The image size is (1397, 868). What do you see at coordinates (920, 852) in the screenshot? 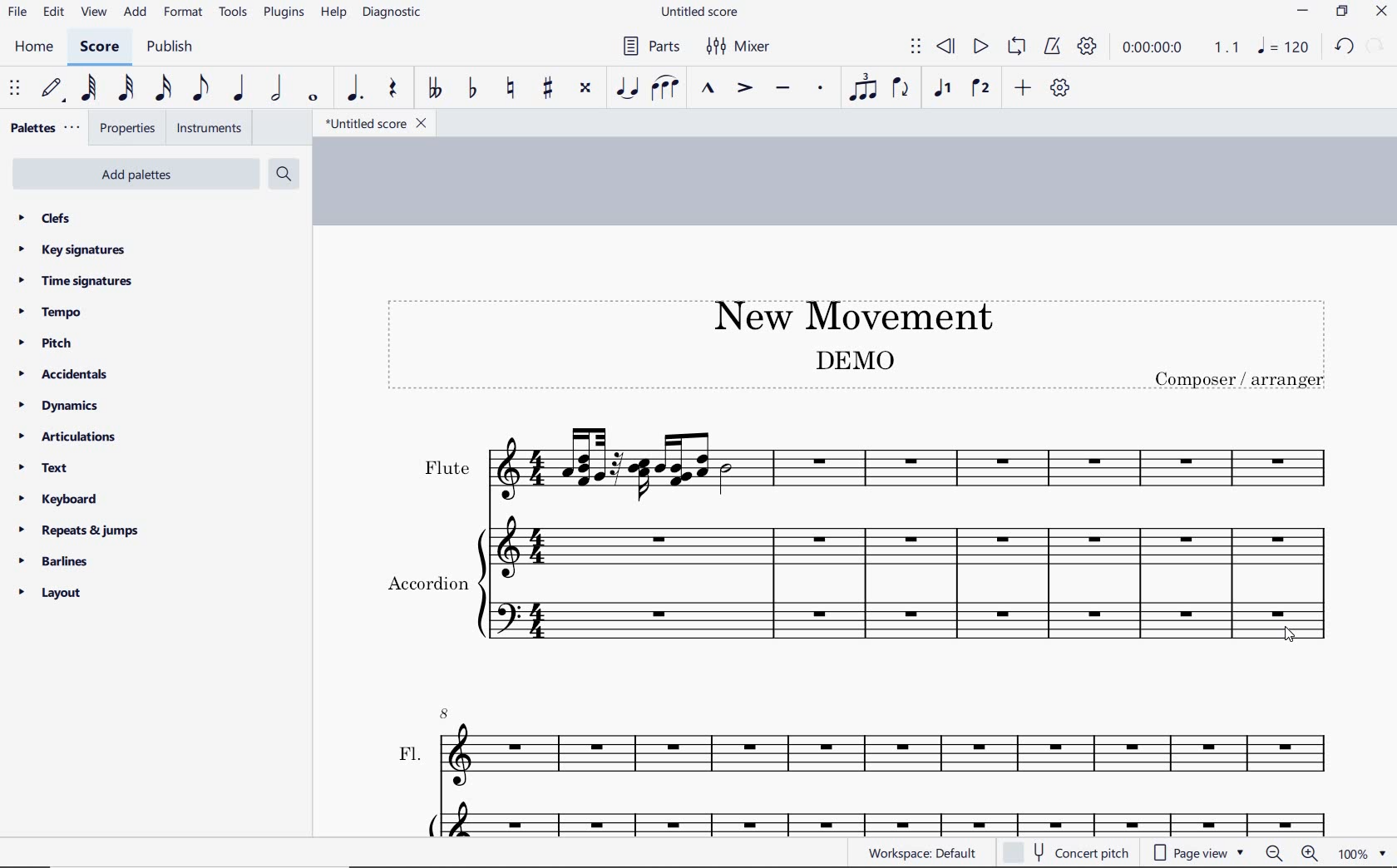
I see `workspace: default` at bounding box center [920, 852].